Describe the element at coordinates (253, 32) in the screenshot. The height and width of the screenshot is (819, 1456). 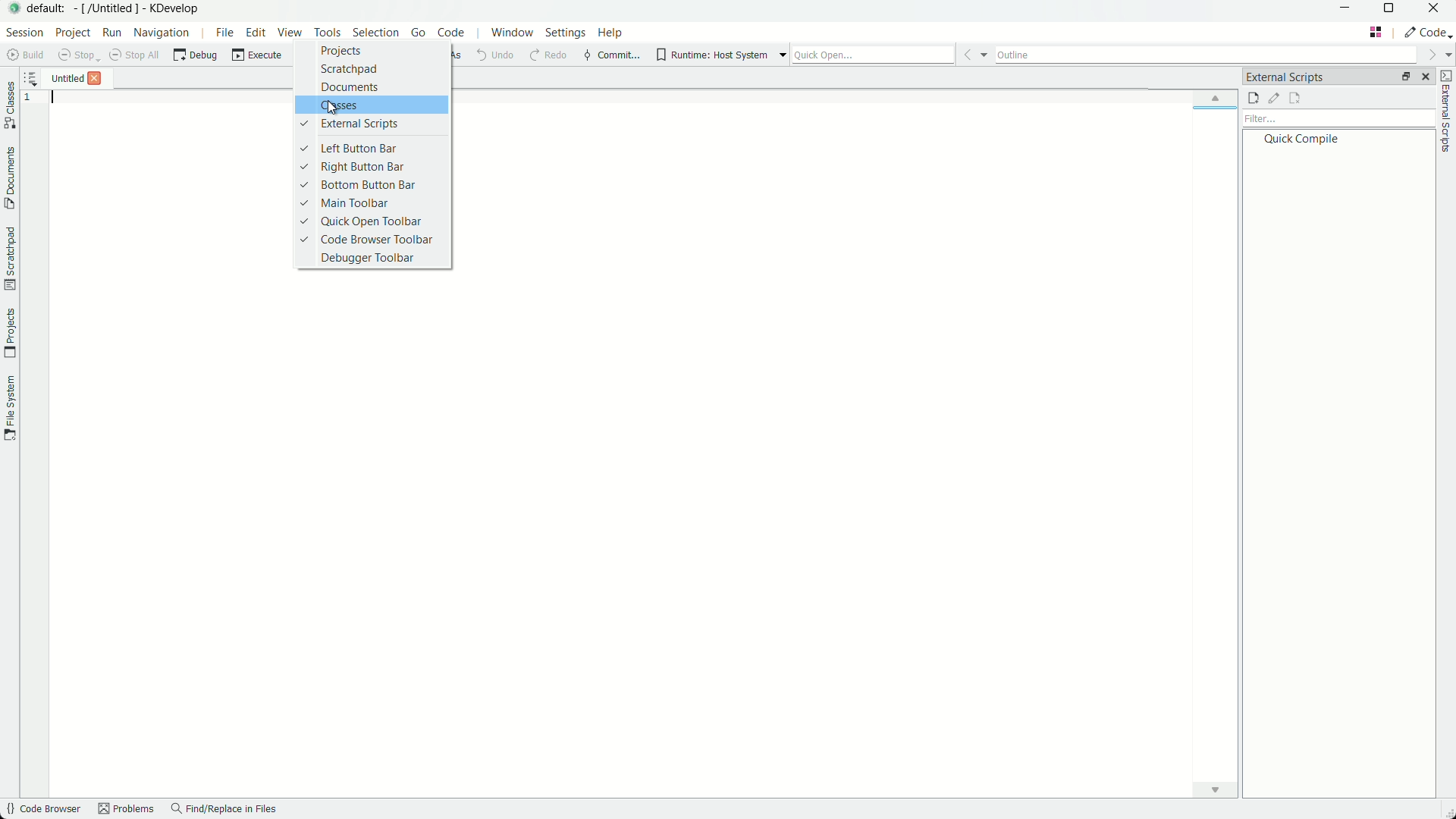
I see `edit` at that location.